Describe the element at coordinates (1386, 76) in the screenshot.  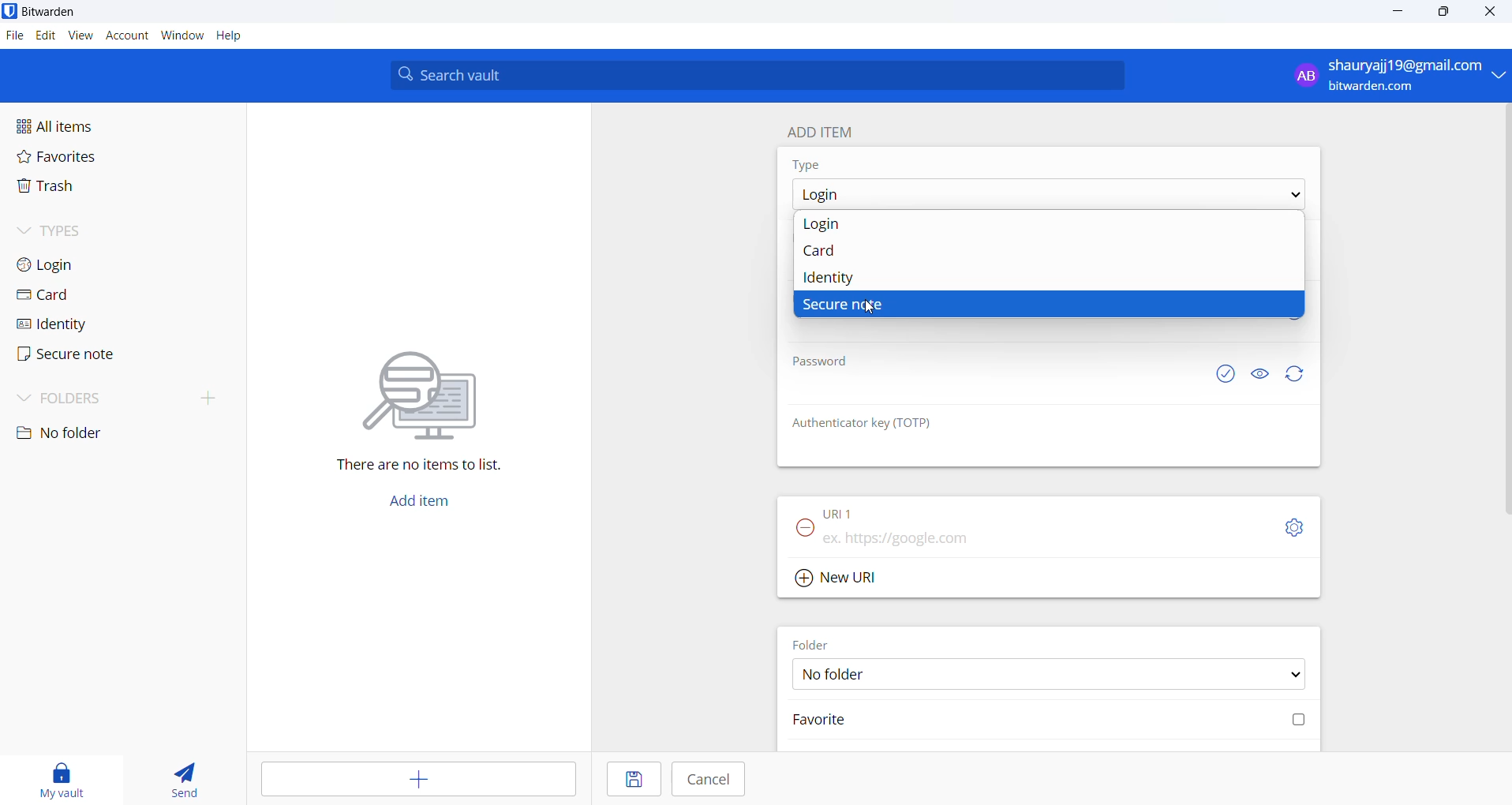
I see `login email` at that location.